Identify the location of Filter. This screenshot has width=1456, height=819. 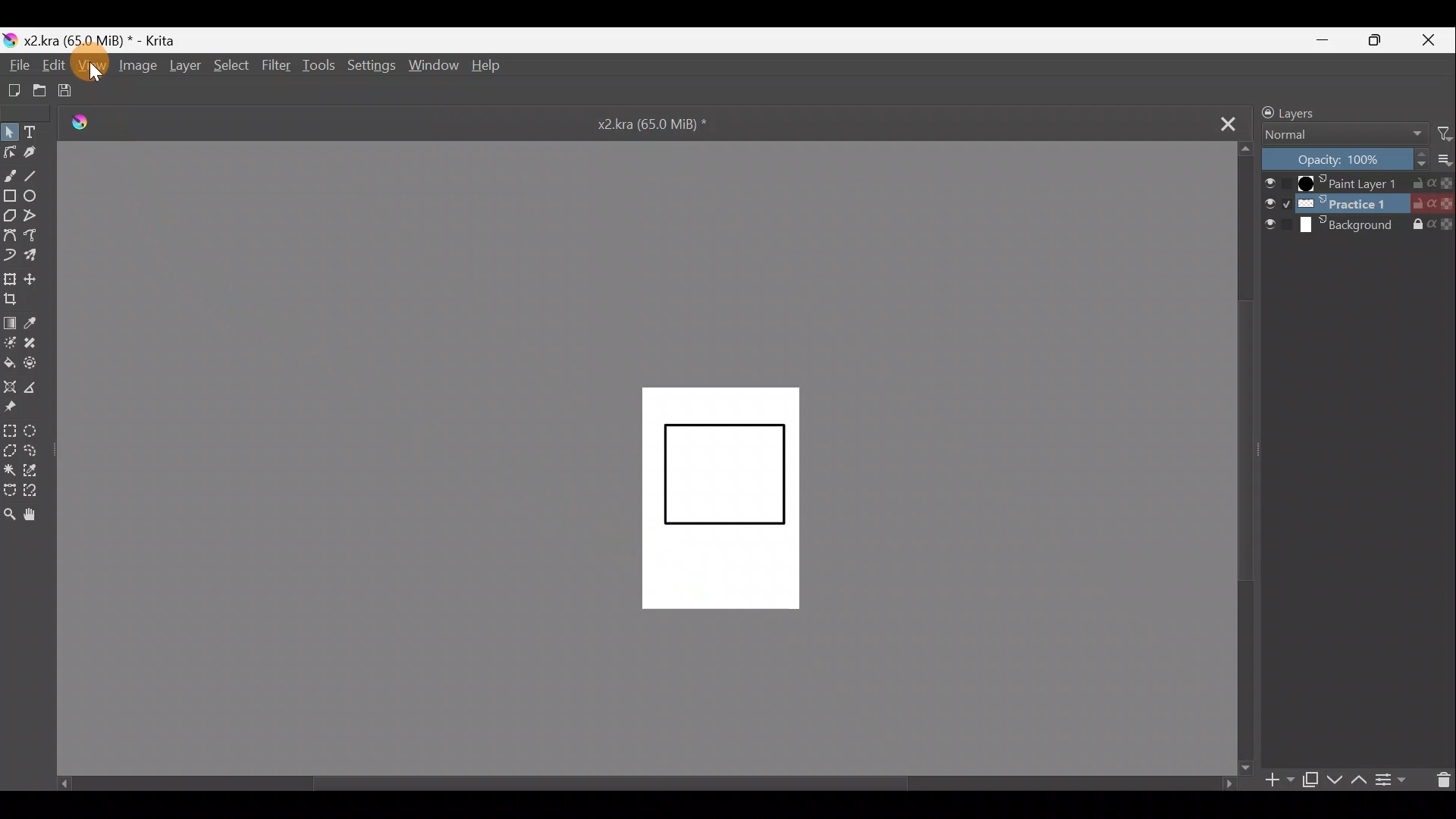
(1447, 132).